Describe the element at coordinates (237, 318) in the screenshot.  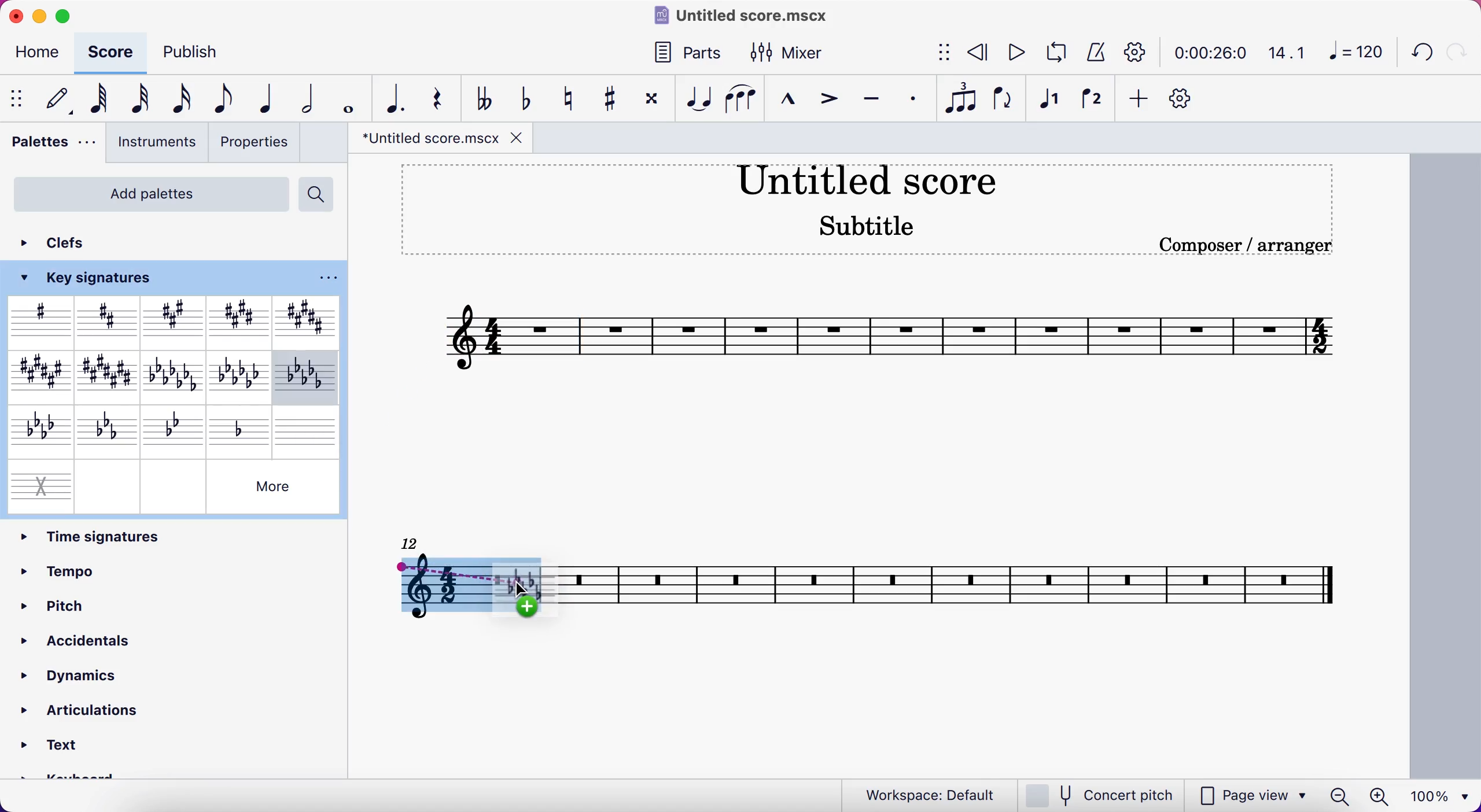
I see `E major` at that location.